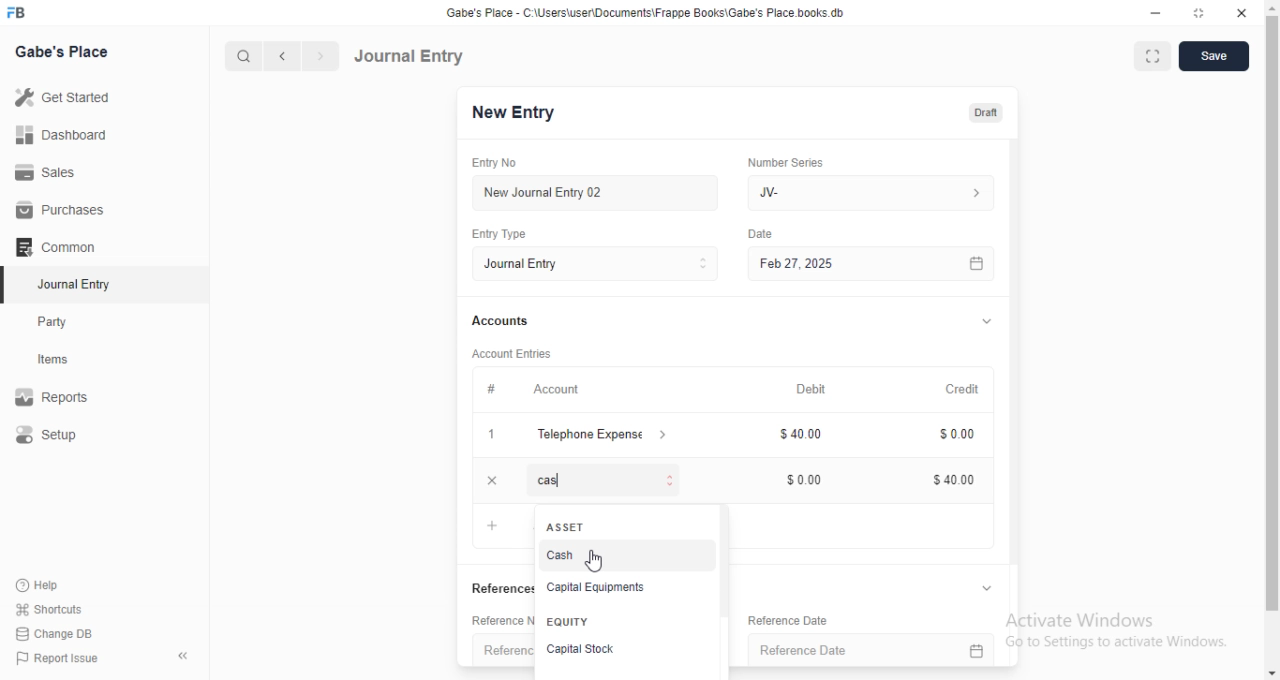  Describe the element at coordinates (283, 57) in the screenshot. I see `Previous` at that location.